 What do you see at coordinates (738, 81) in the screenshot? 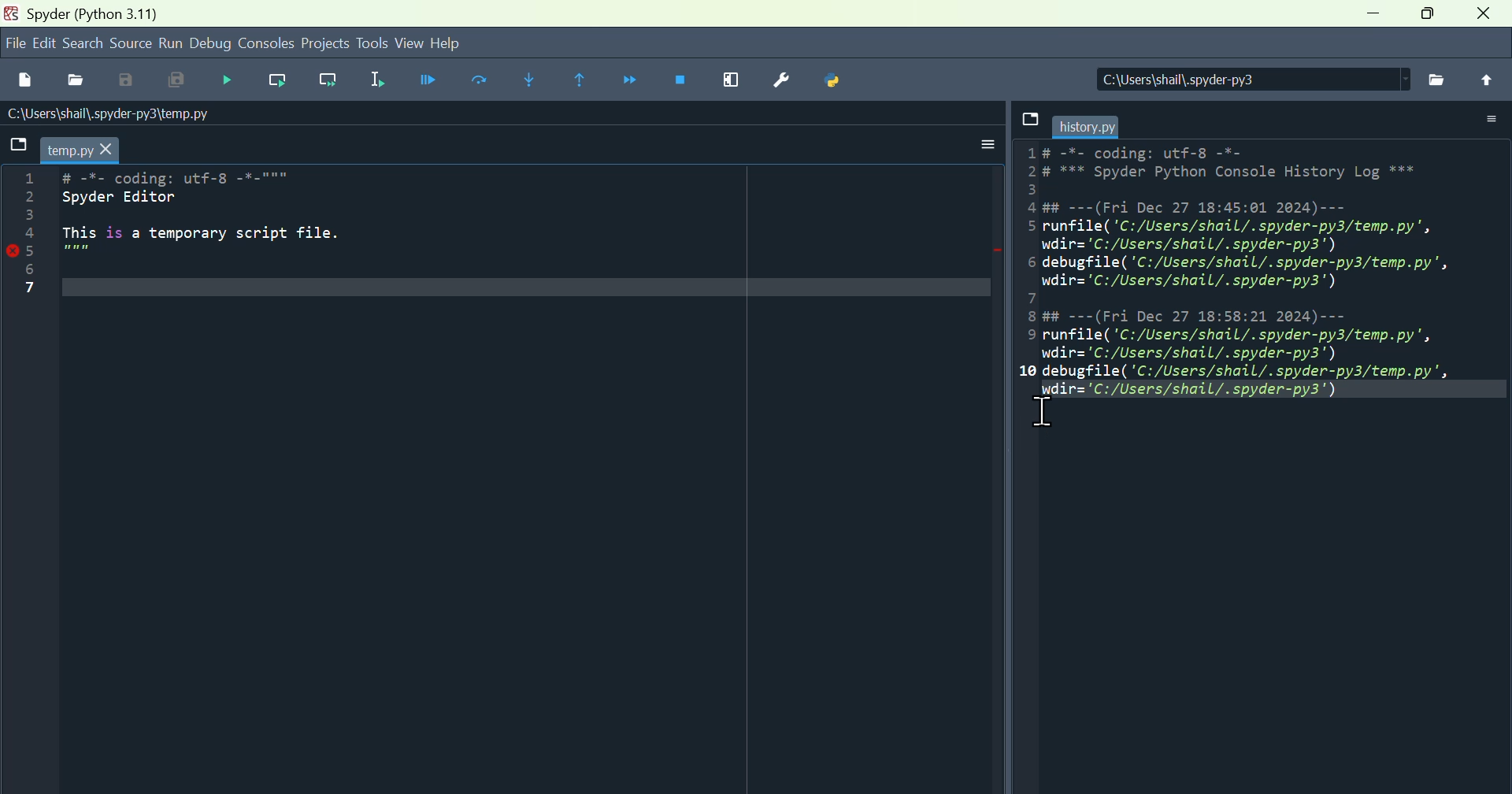
I see `Maximise current window` at bounding box center [738, 81].